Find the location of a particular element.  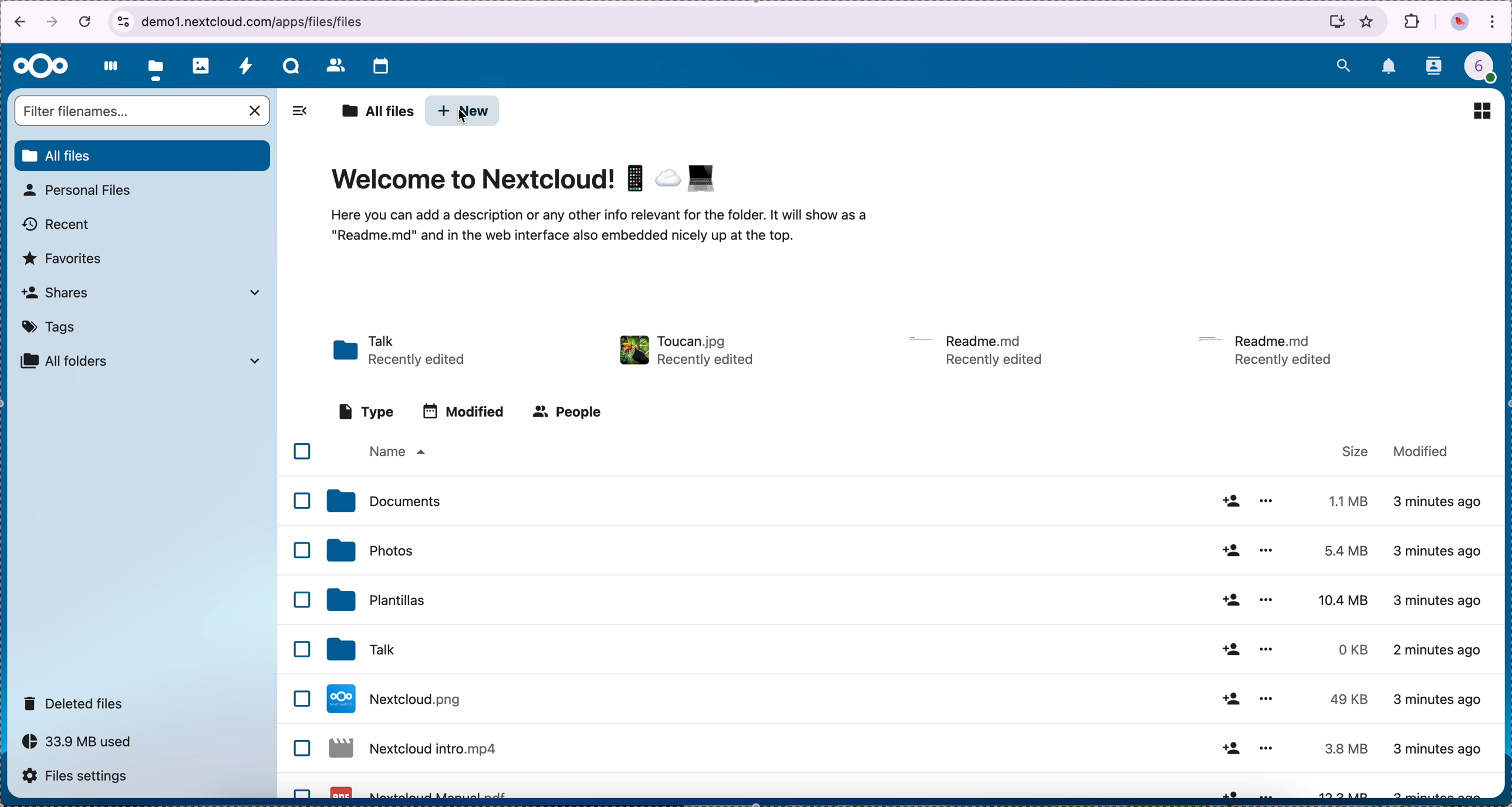

4 minutes ago is located at coordinates (1439, 654).